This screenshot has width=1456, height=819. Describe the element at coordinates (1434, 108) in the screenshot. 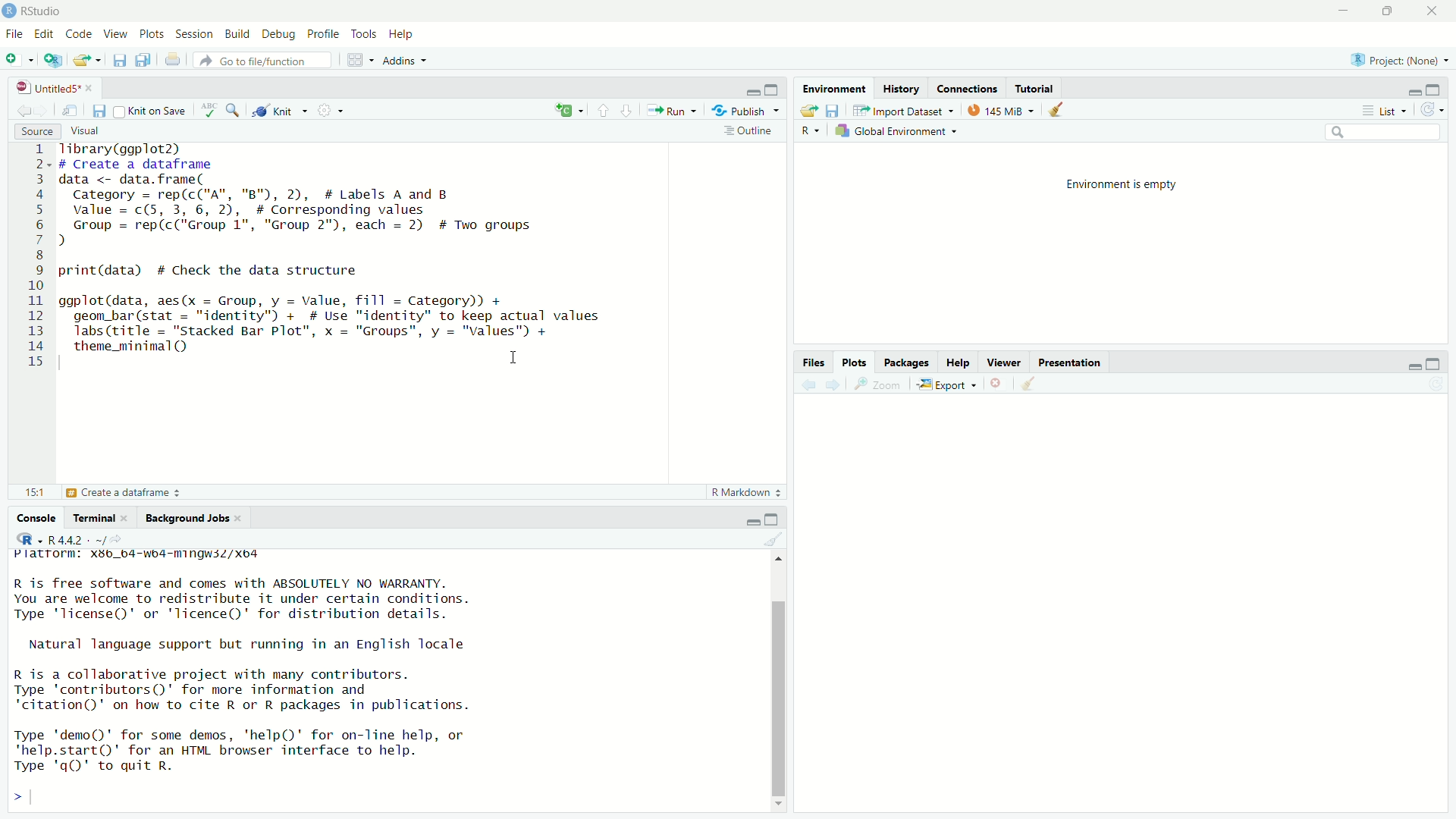

I see `Refresh the list of objects in the environment` at that location.